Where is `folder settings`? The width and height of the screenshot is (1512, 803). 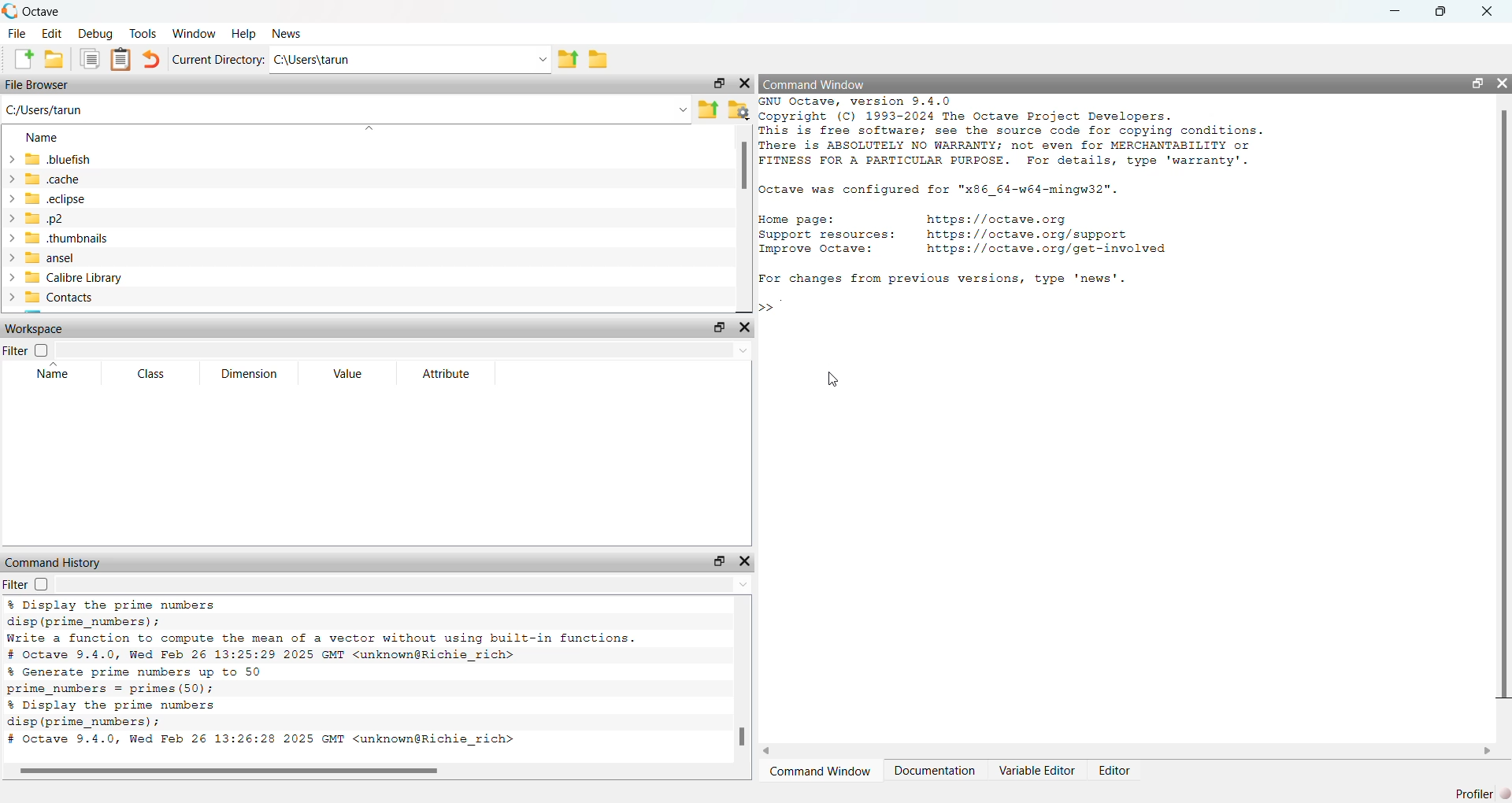 folder settings is located at coordinates (739, 111).